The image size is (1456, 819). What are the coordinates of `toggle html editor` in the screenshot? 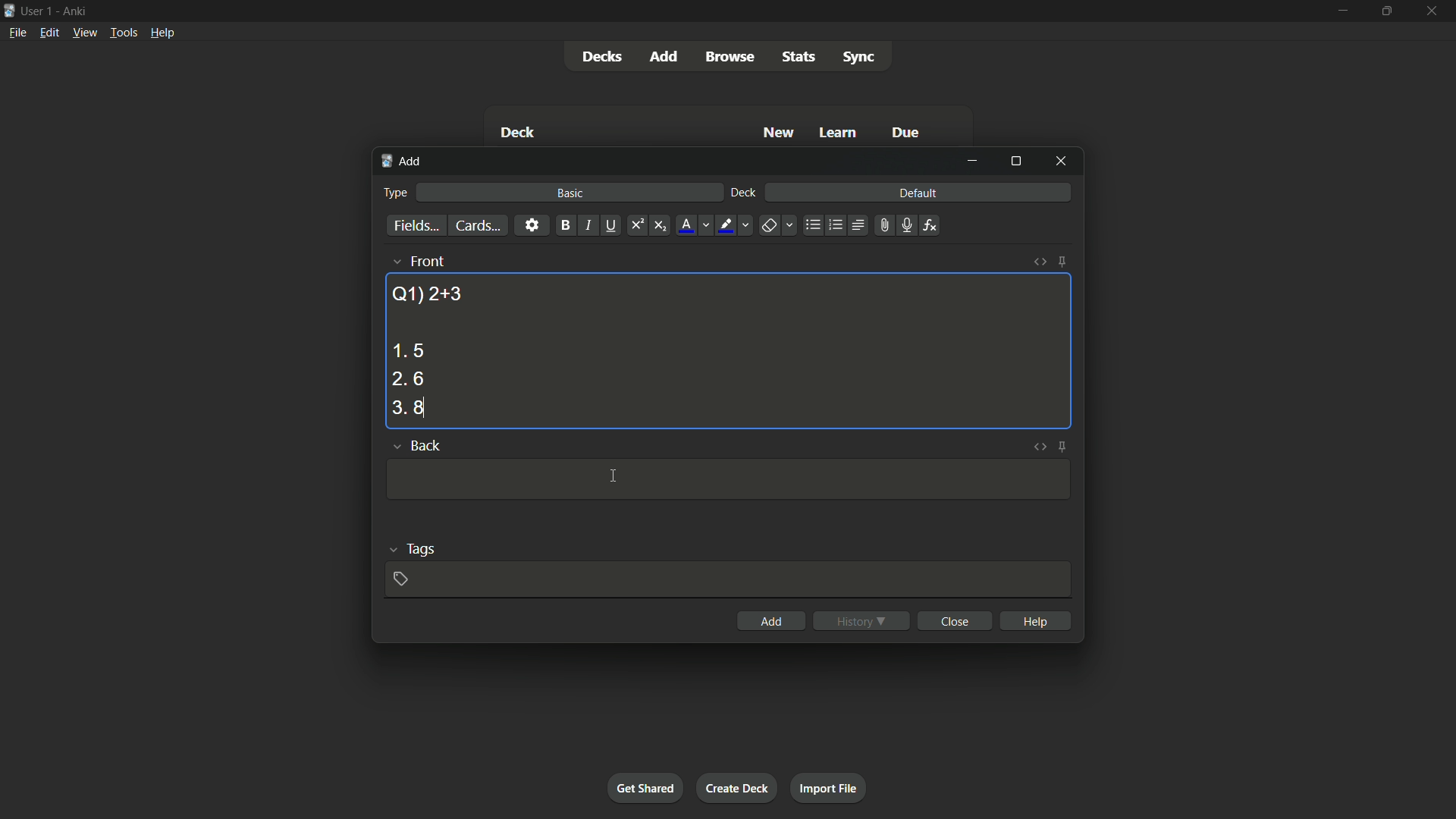 It's located at (1037, 447).